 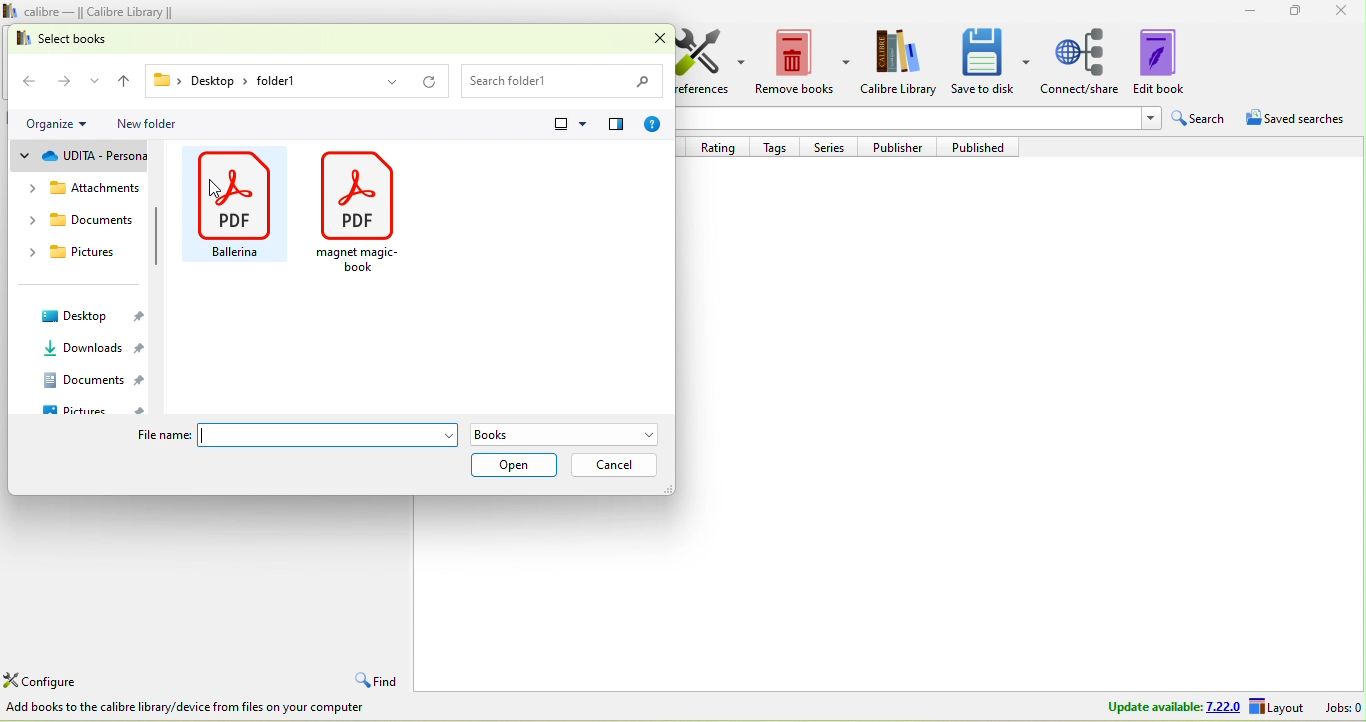 I want to click on organize, so click(x=63, y=125).